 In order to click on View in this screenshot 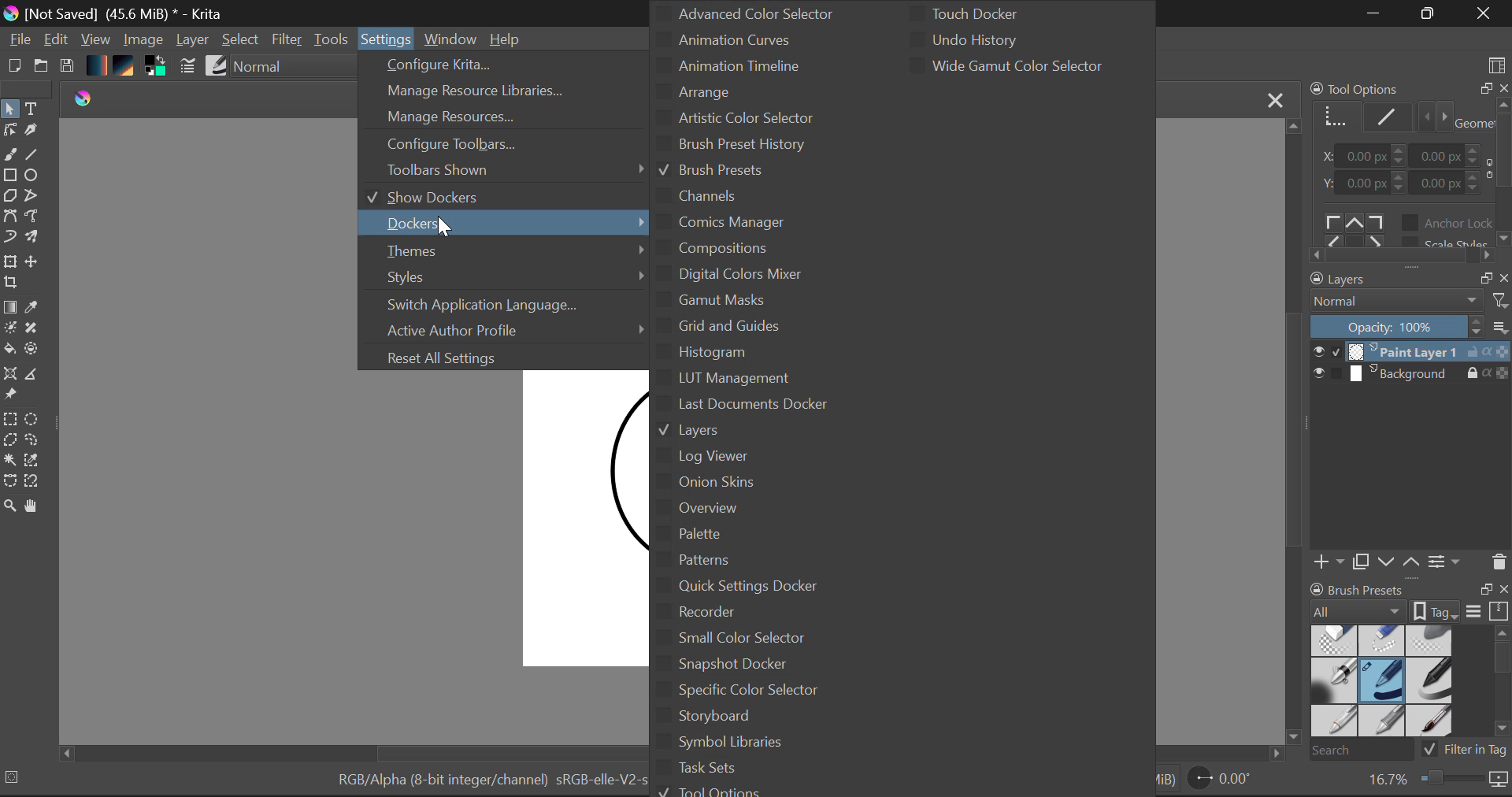, I will do `click(96, 39)`.